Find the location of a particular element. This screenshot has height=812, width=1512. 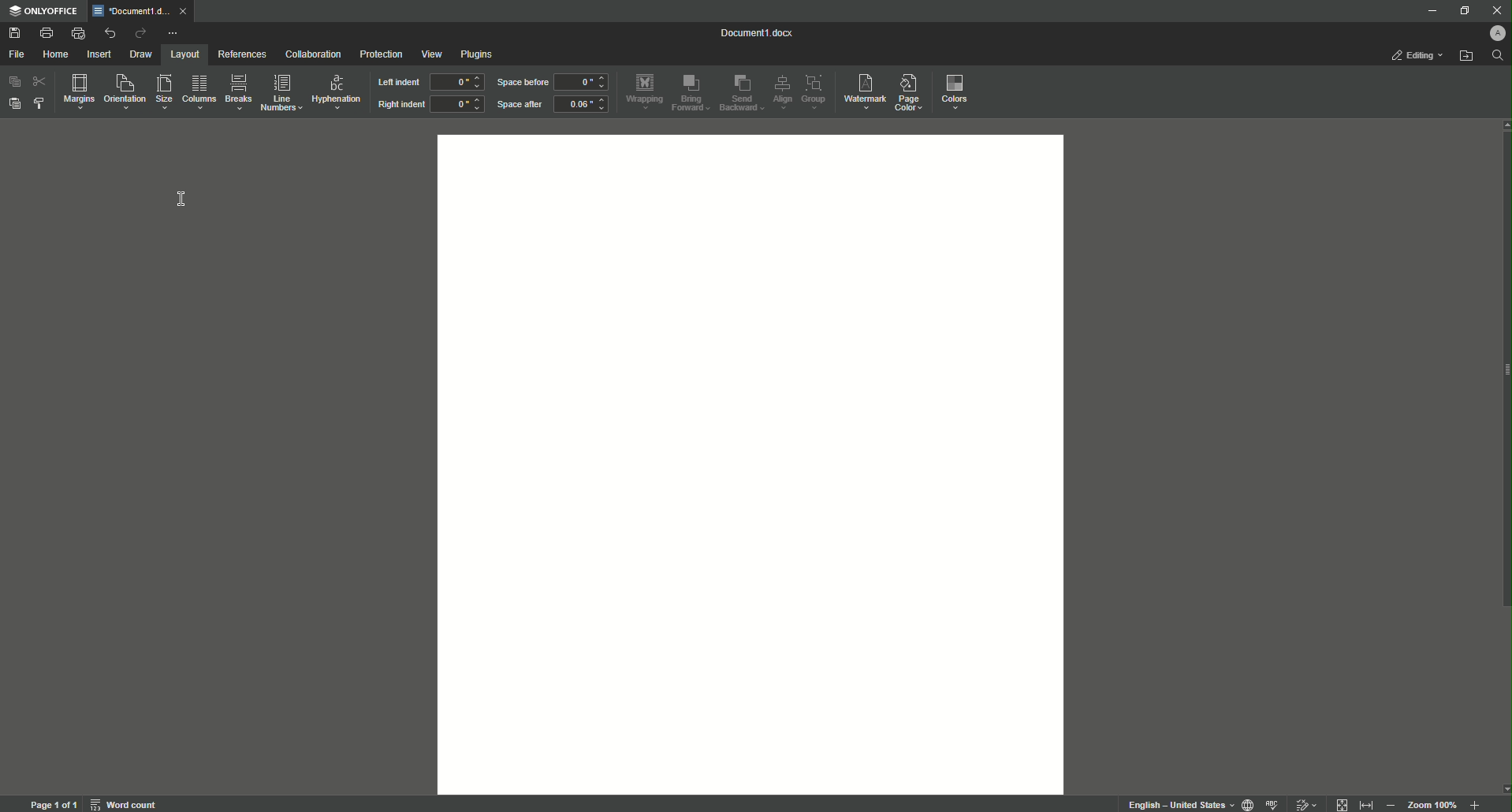

View is located at coordinates (430, 54).